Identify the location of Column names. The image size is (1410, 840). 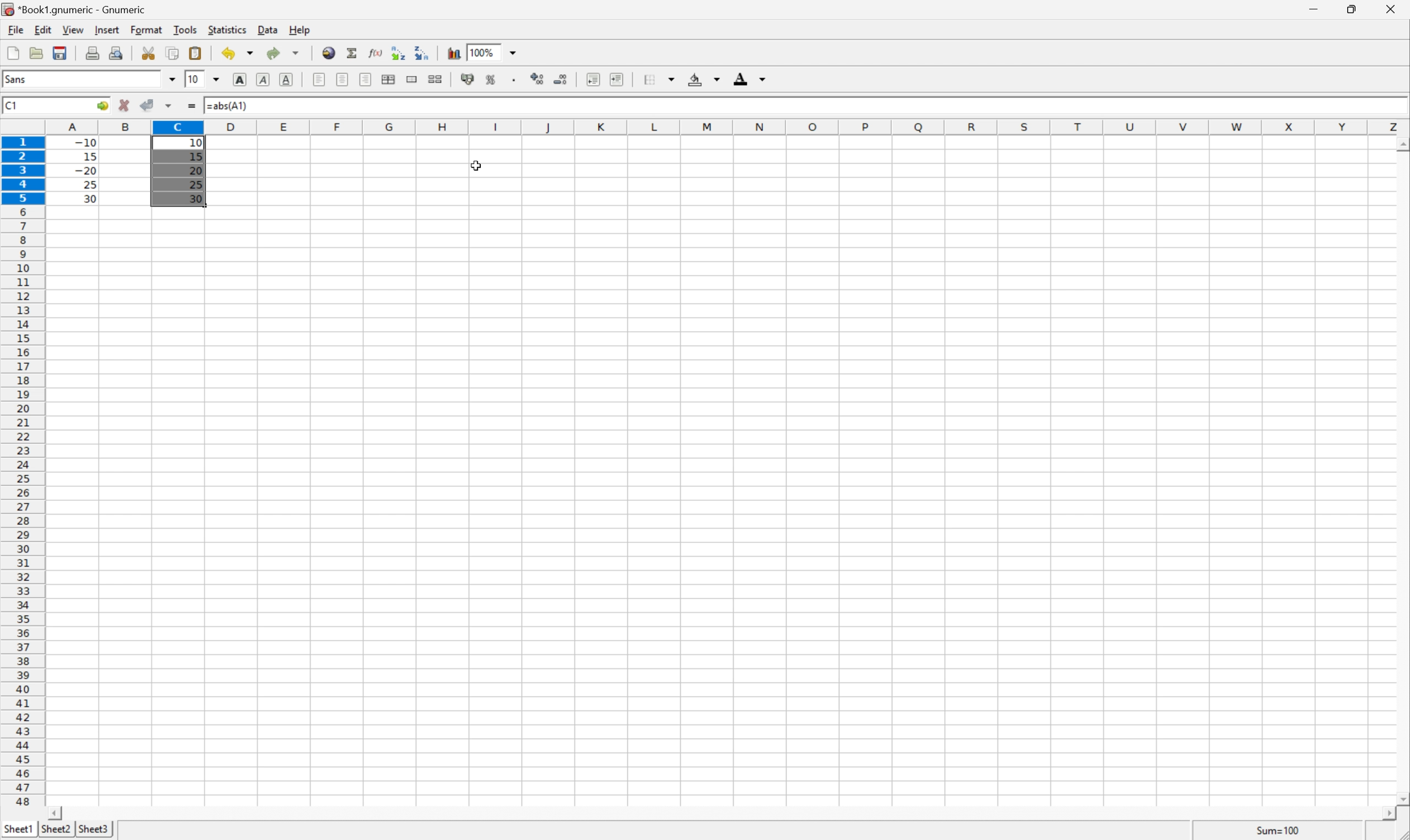
(728, 126).